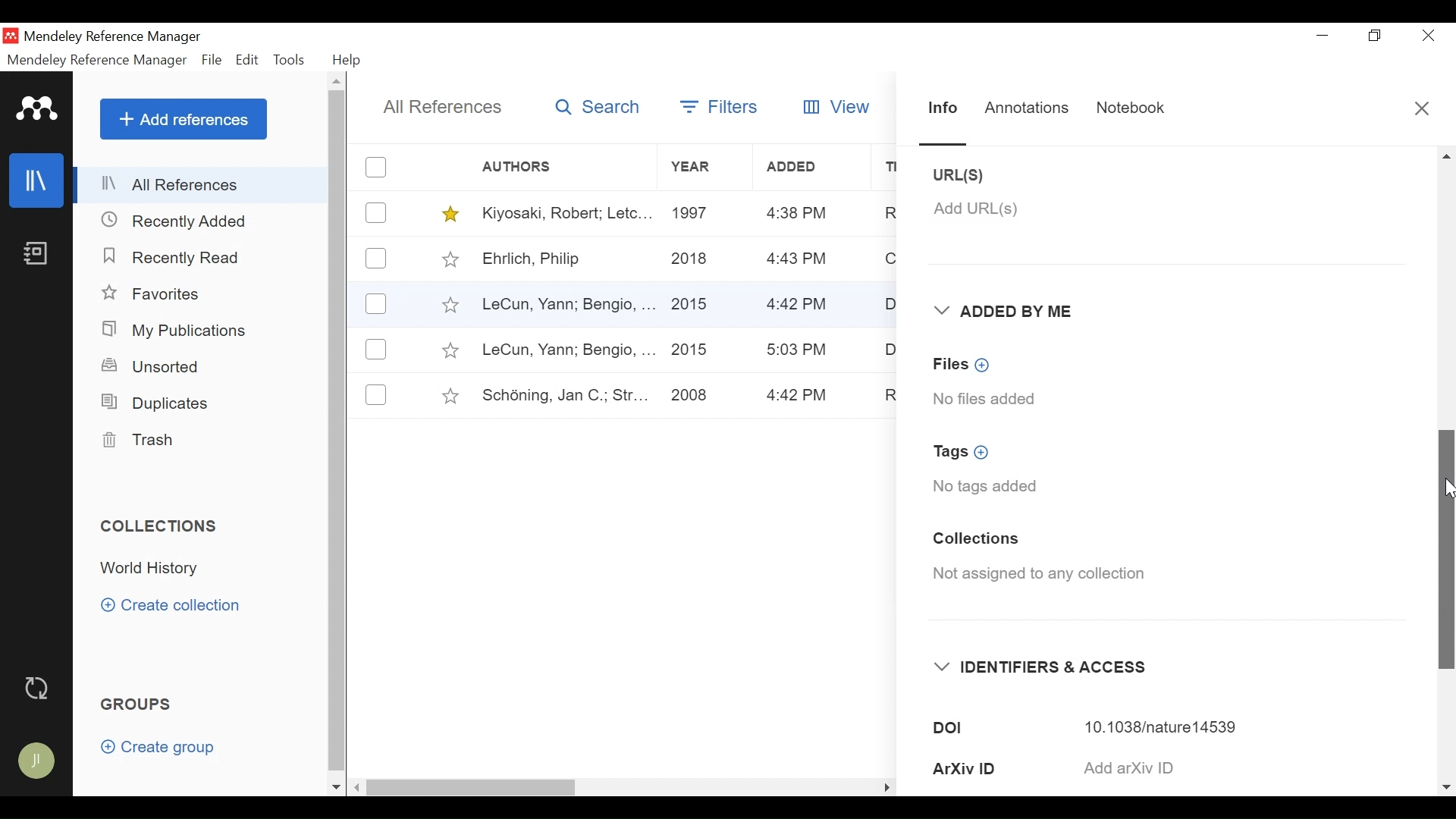 The height and width of the screenshot is (819, 1456). Describe the element at coordinates (38, 180) in the screenshot. I see `Library` at that location.